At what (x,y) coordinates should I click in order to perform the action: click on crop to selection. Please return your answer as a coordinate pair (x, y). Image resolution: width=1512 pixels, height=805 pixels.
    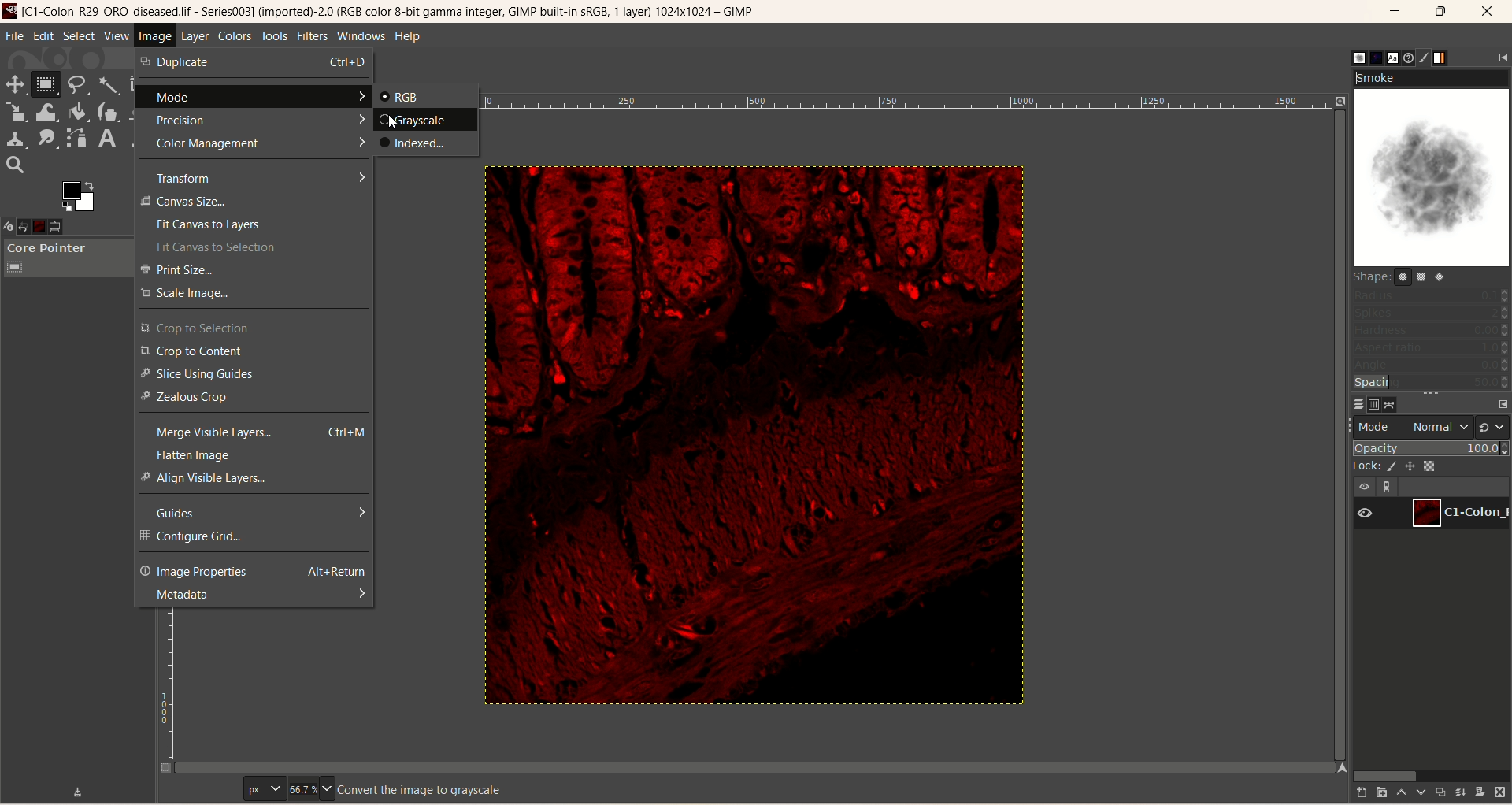
    Looking at the image, I should click on (254, 328).